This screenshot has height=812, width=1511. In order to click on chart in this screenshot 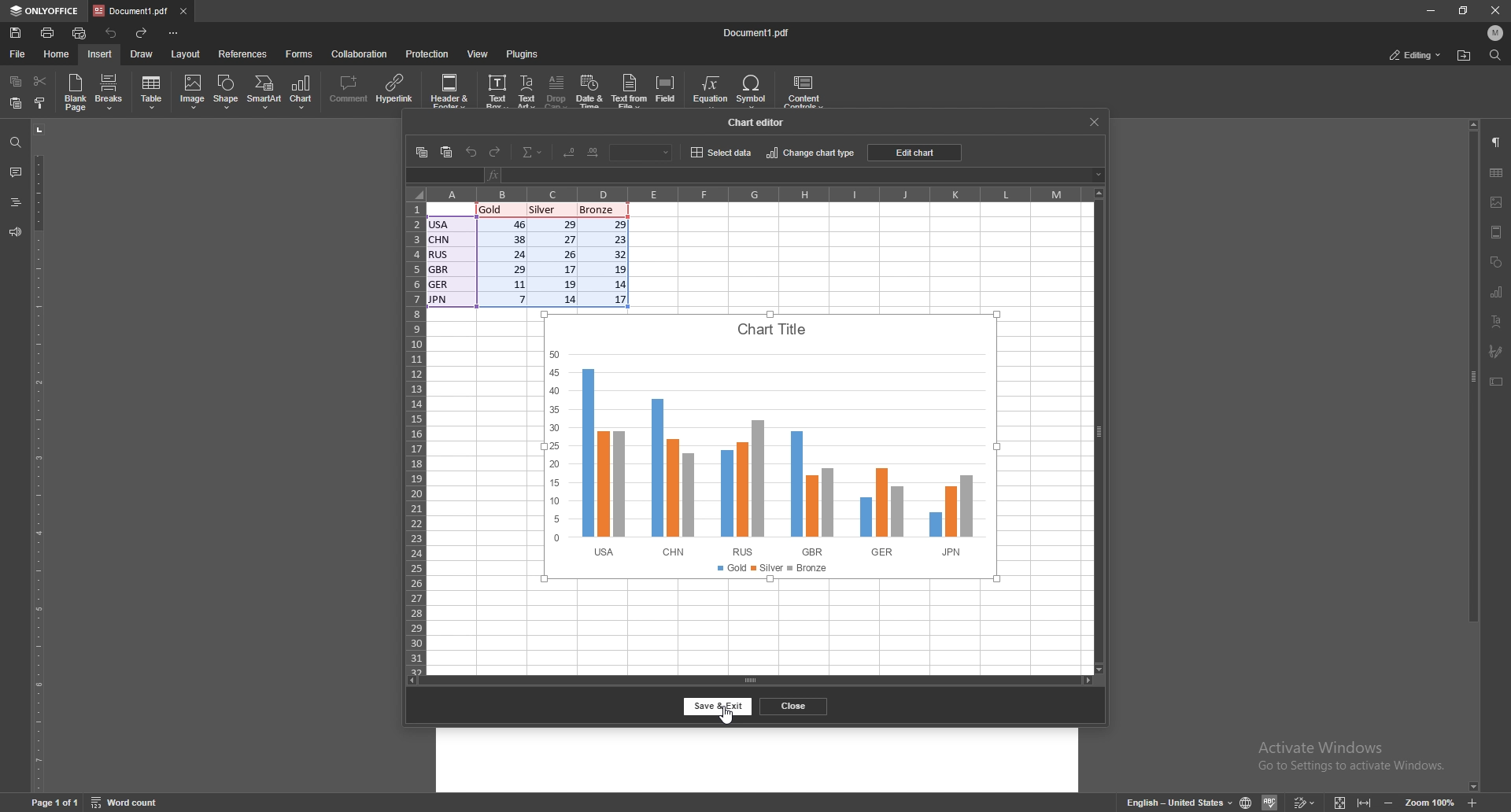, I will do `click(769, 446)`.